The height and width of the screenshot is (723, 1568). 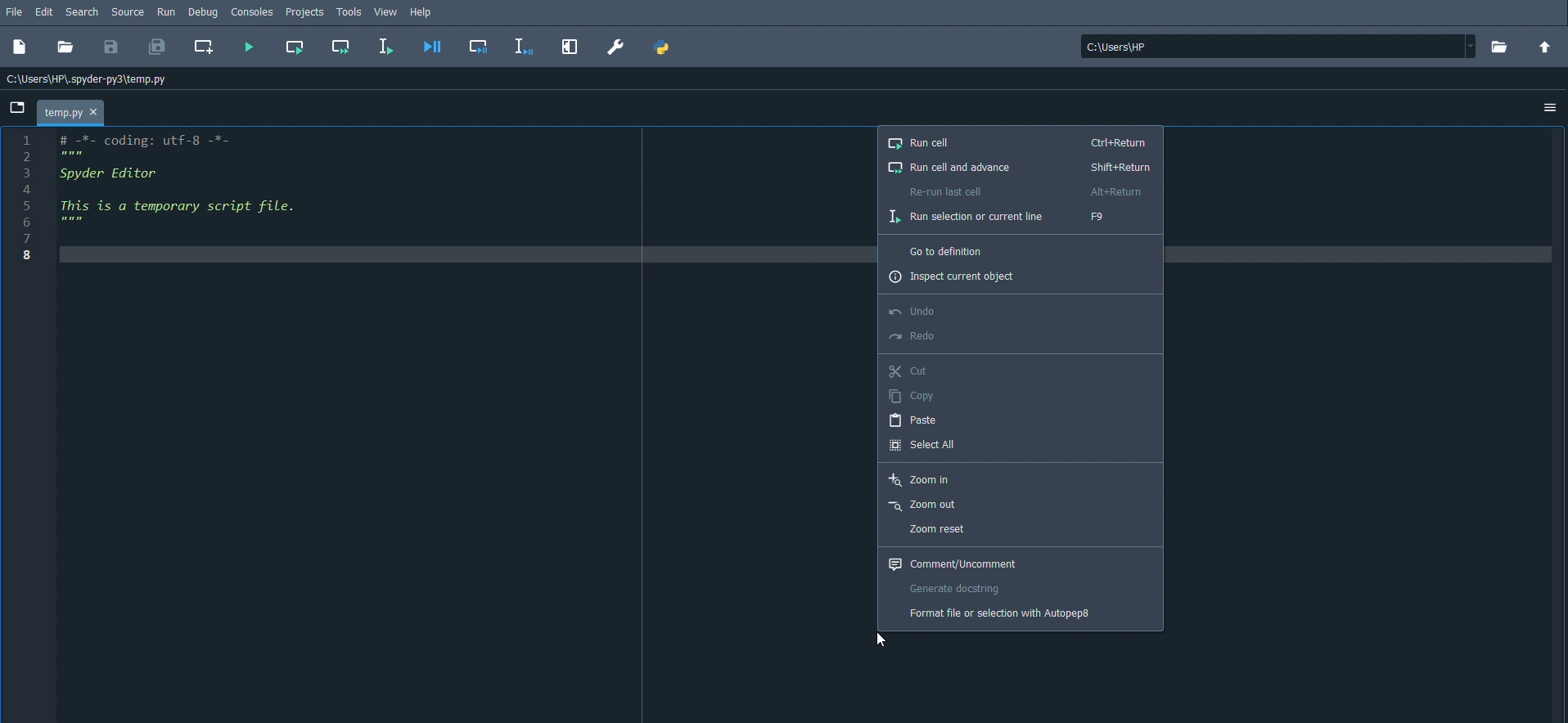 What do you see at coordinates (305, 11) in the screenshot?
I see `Projects` at bounding box center [305, 11].